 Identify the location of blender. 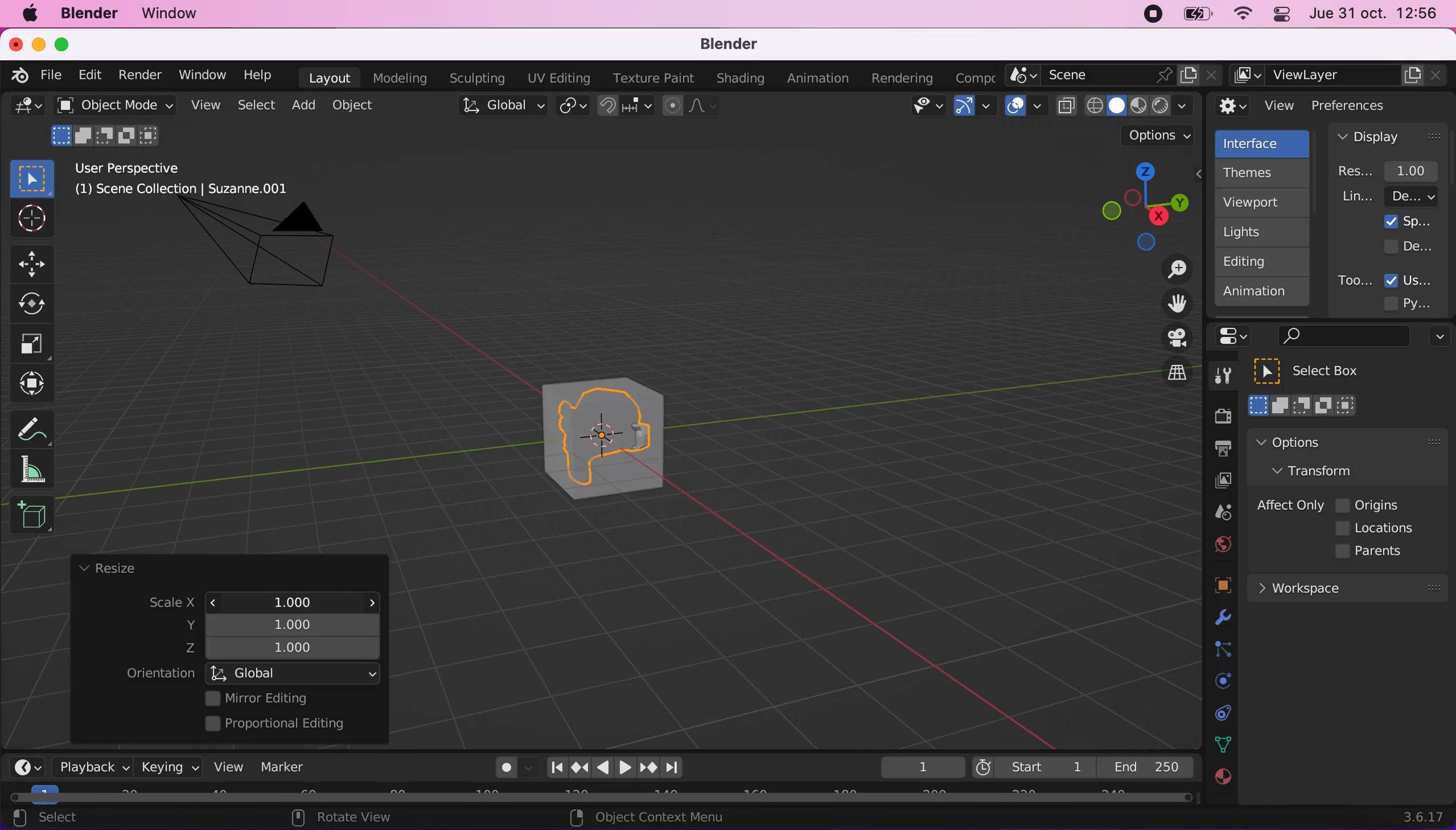
(88, 14).